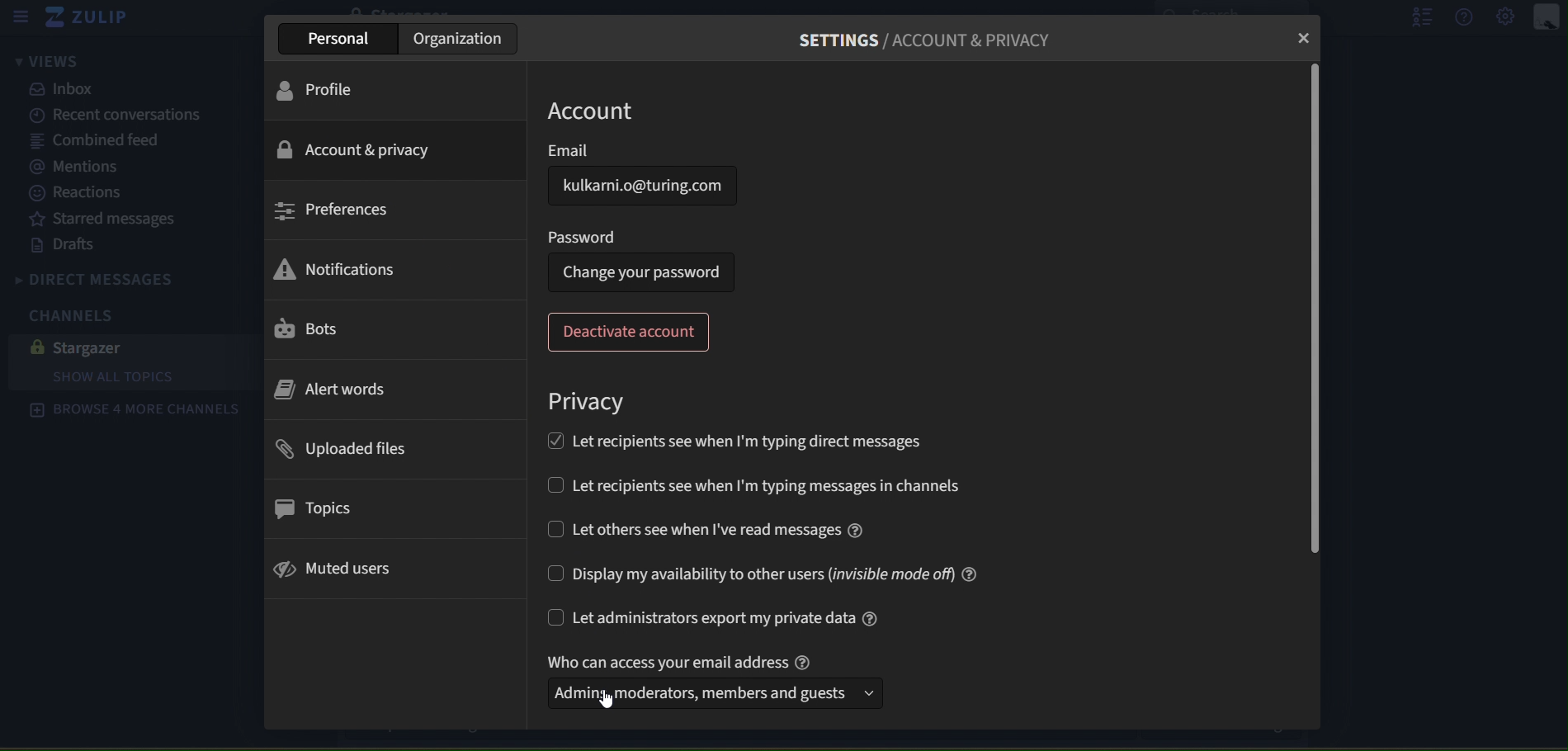  What do you see at coordinates (97, 142) in the screenshot?
I see `combined feed` at bounding box center [97, 142].